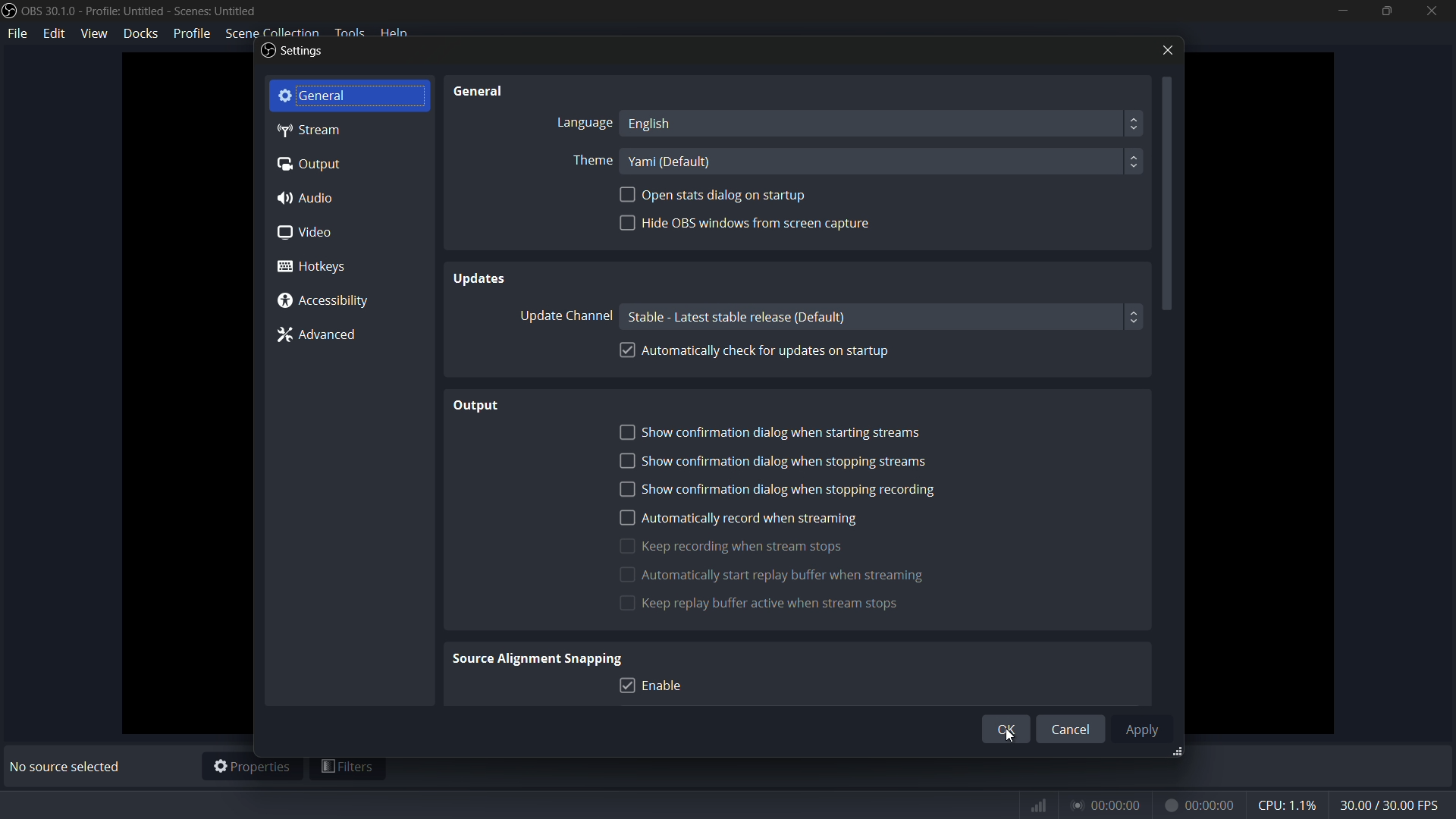 This screenshot has width=1456, height=819. Describe the element at coordinates (1146, 730) in the screenshot. I see `Apply ` at that location.